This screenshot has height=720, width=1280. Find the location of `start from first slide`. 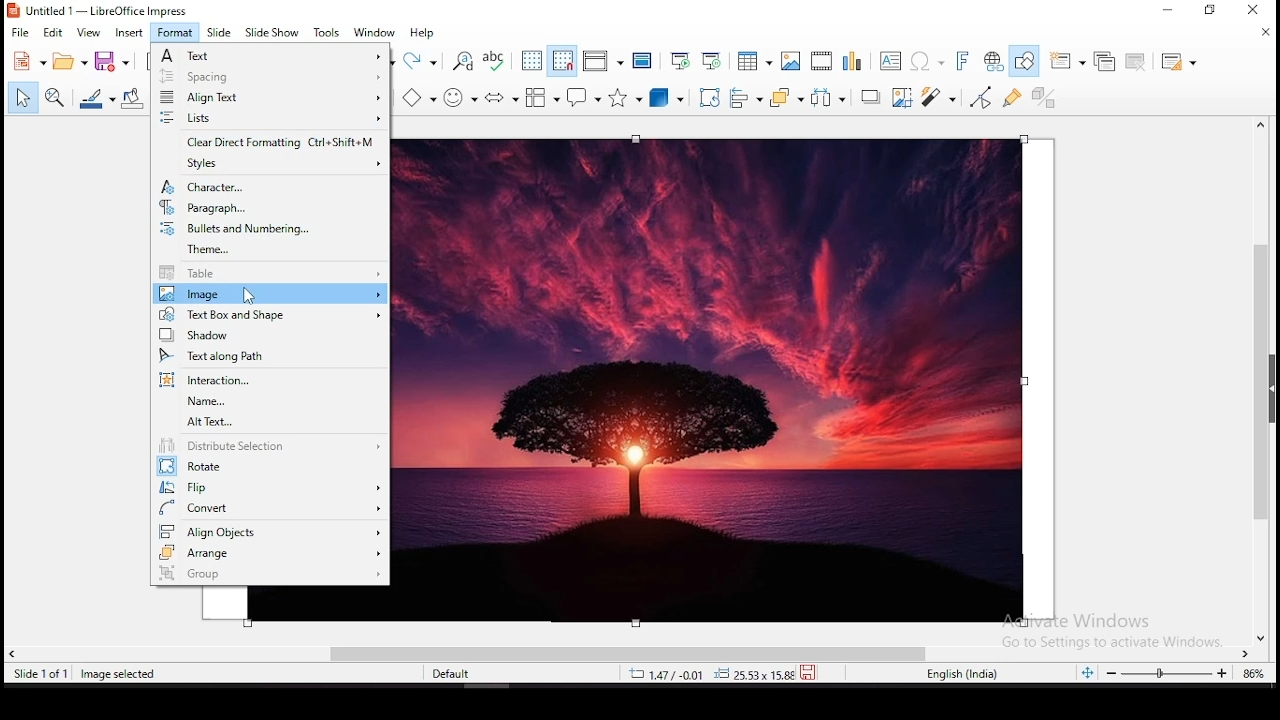

start from first slide is located at coordinates (680, 59).